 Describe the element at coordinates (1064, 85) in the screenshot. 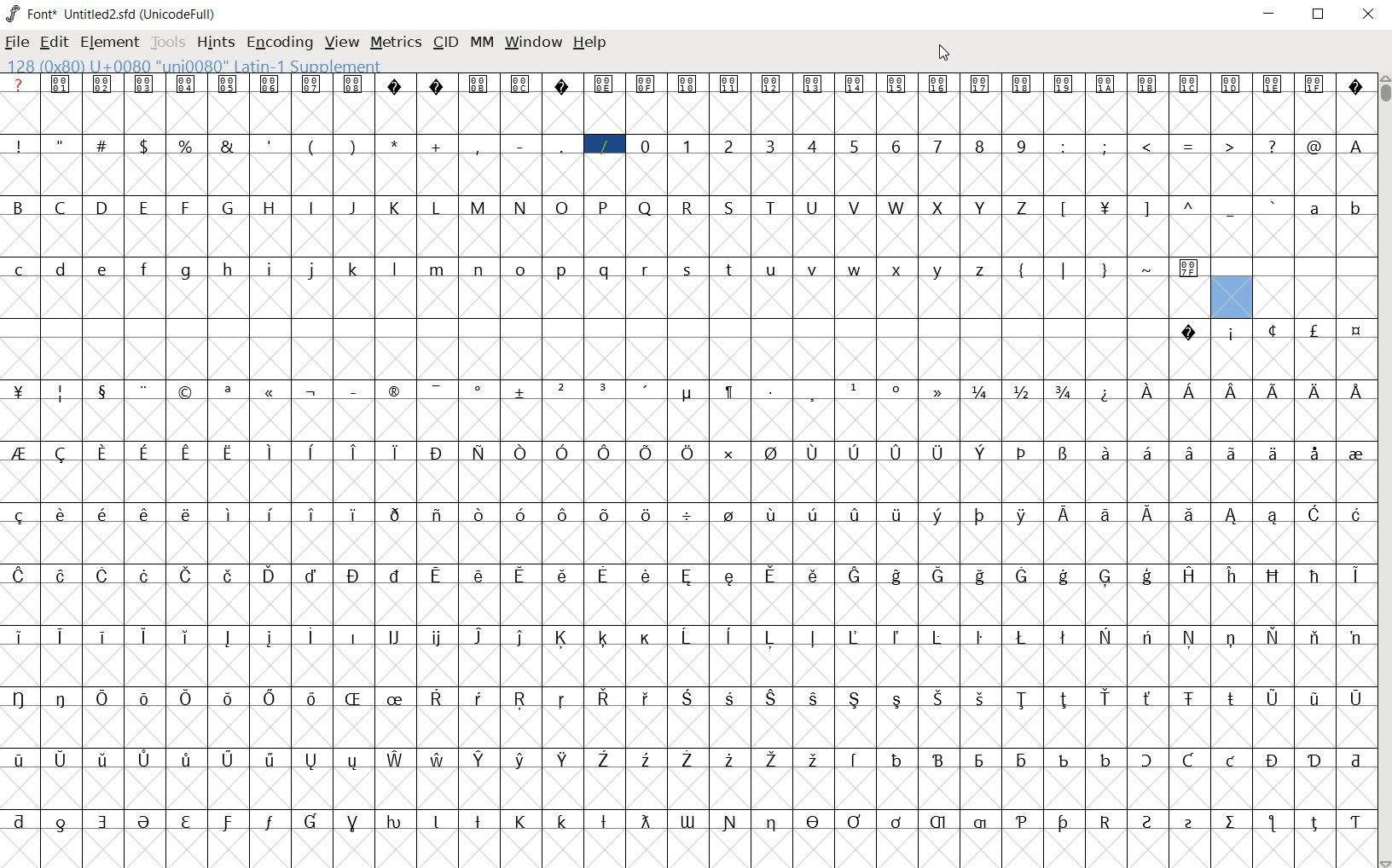

I see `glyph` at that location.